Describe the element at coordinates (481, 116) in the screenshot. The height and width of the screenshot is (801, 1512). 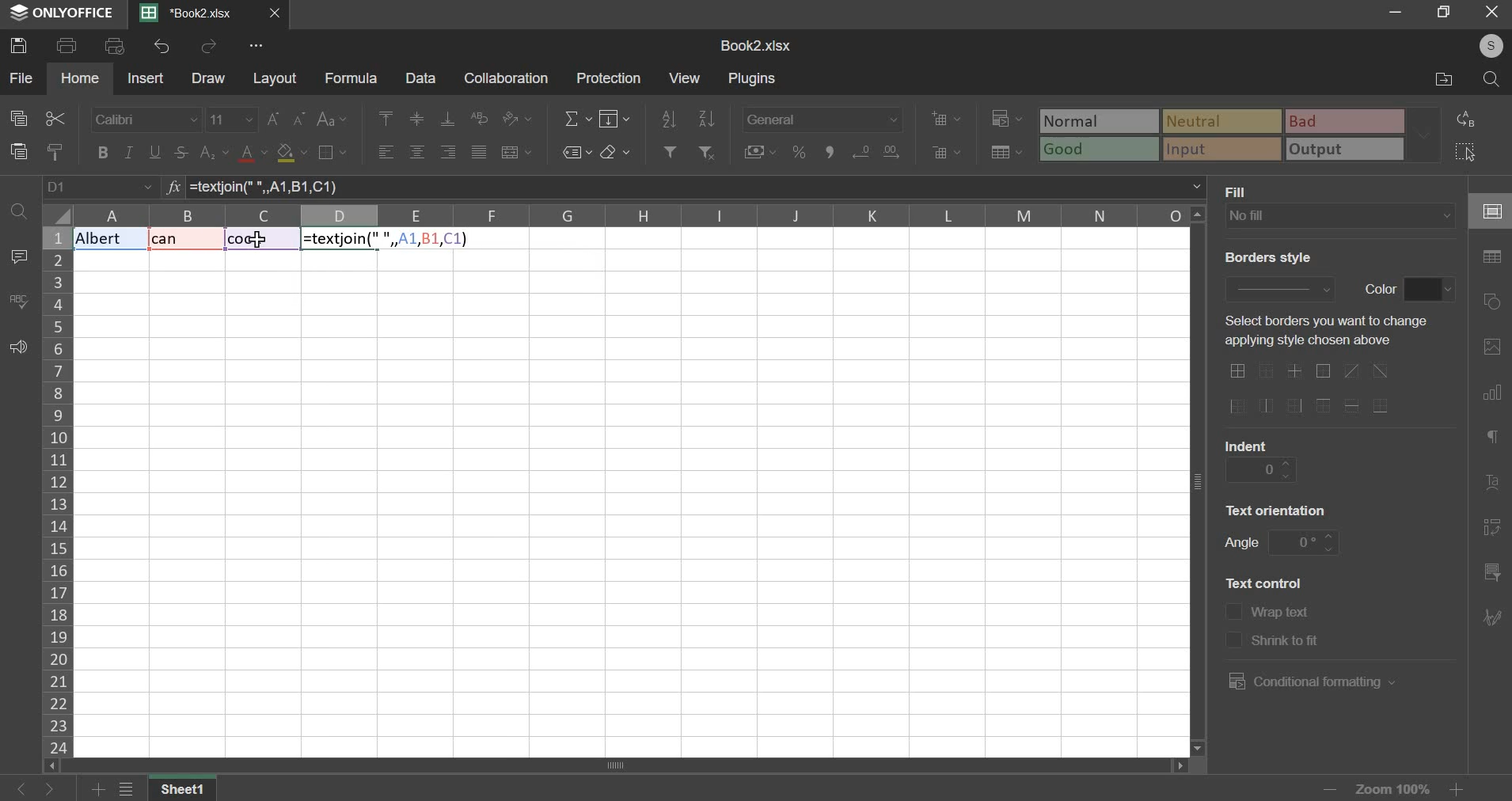
I see `wrap text` at that location.